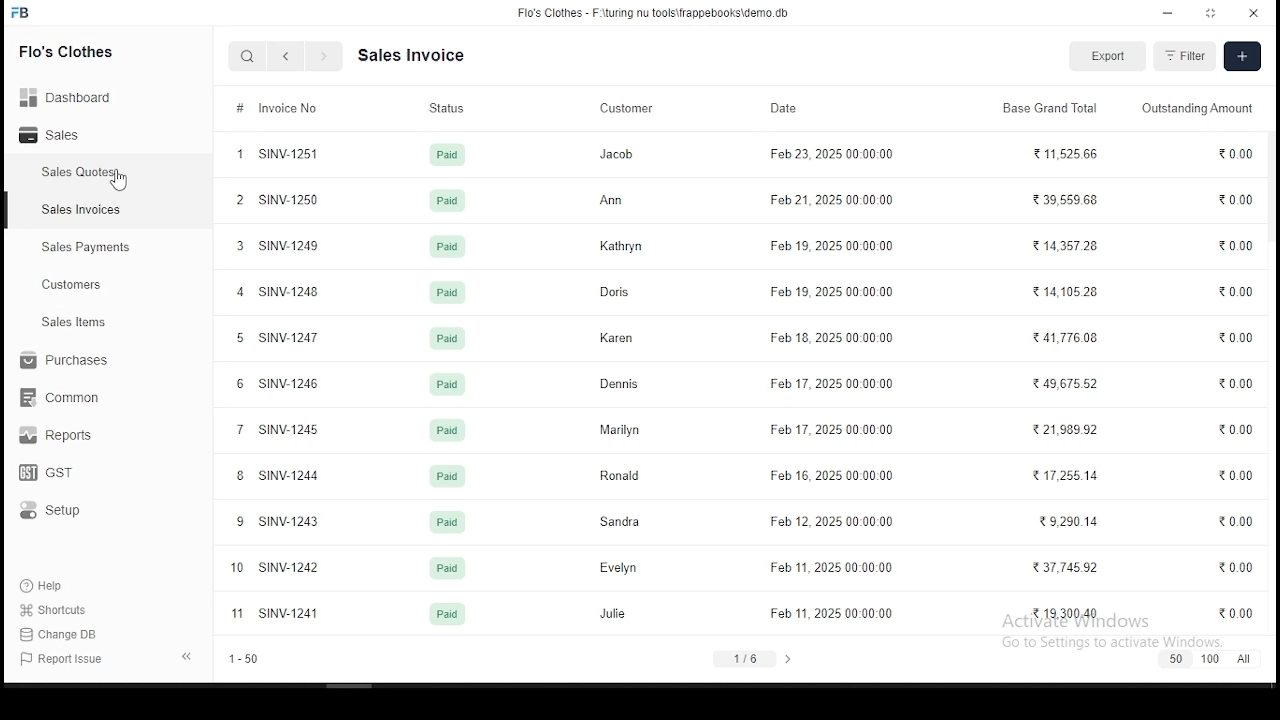  Describe the element at coordinates (275, 336) in the screenshot. I see `5 SINV-1247` at that location.